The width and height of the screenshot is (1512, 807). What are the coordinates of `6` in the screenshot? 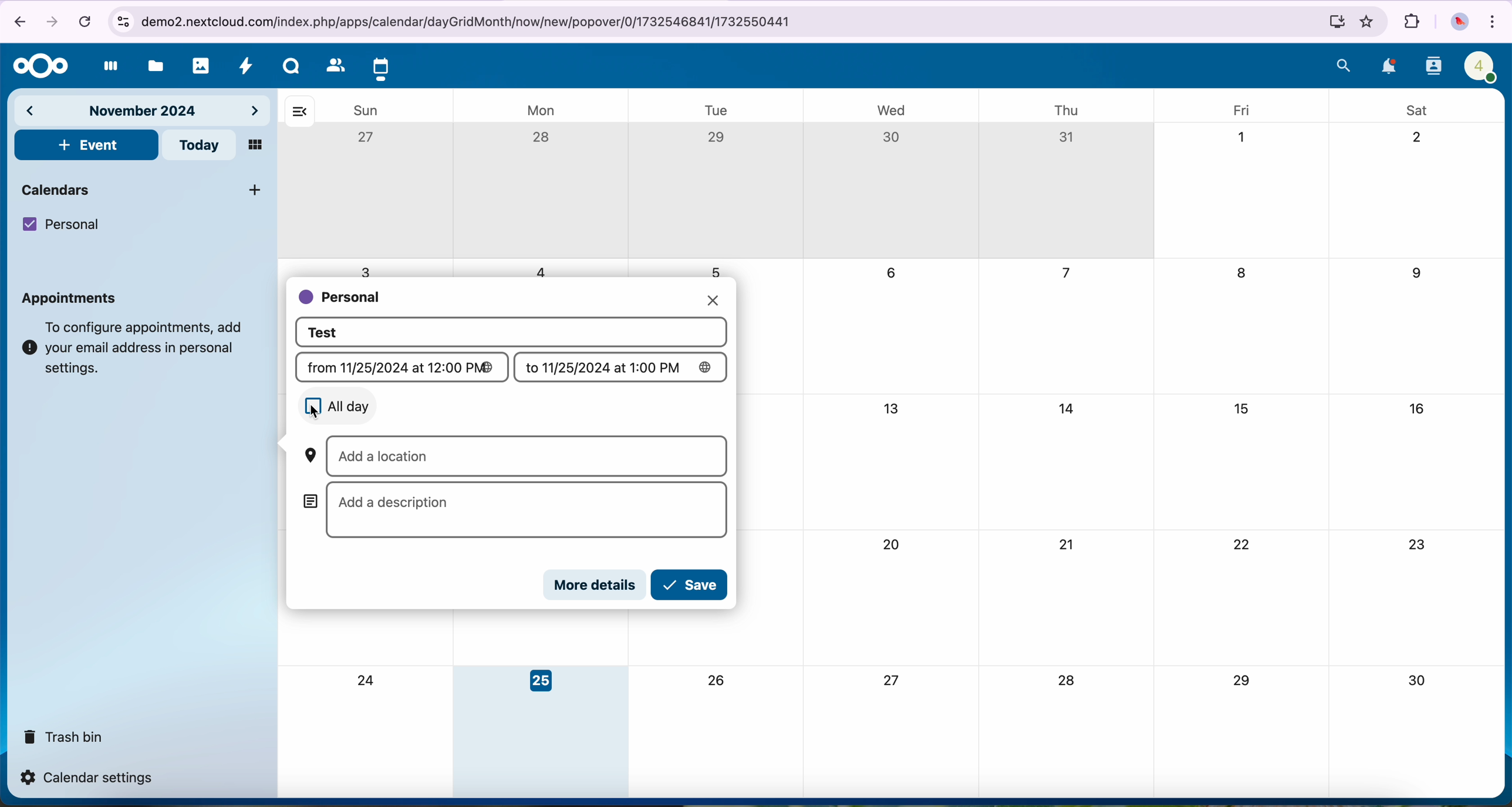 It's located at (890, 273).